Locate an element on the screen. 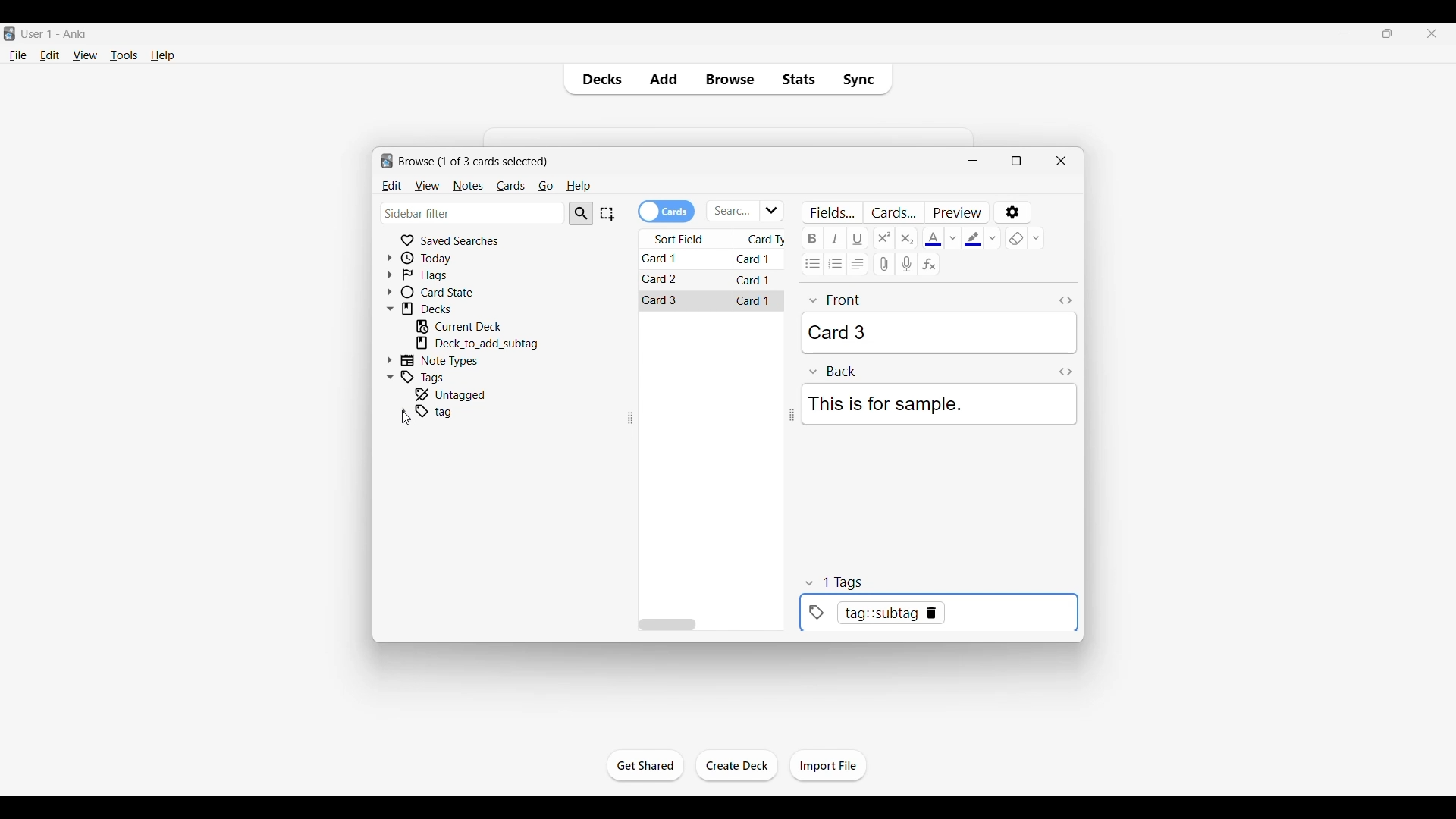 The width and height of the screenshot is (1456, 819). Remove formatting options is located at coordinates (1036, 238).